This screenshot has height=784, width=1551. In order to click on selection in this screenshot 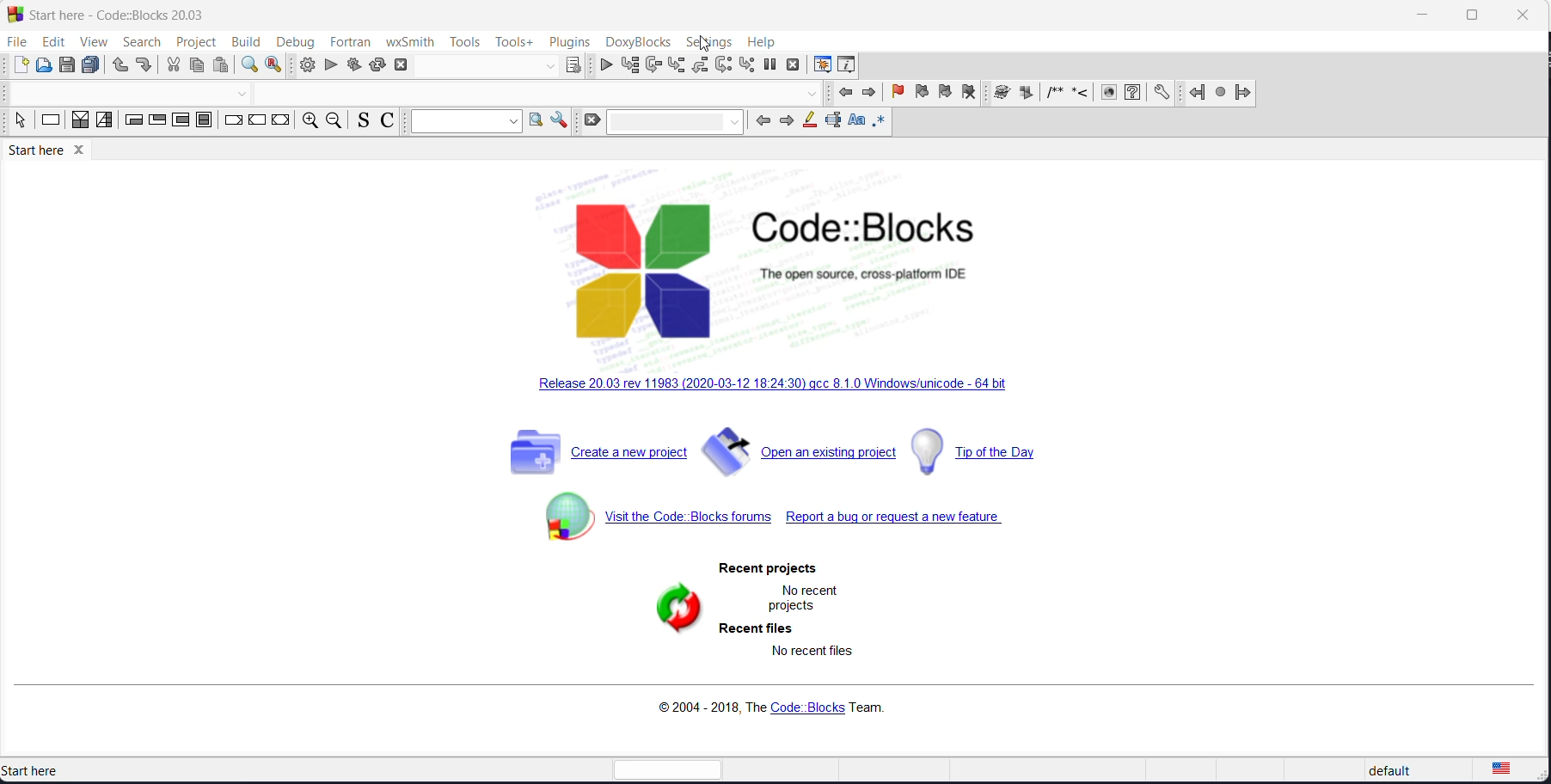, I will do `click(104, 123)`.